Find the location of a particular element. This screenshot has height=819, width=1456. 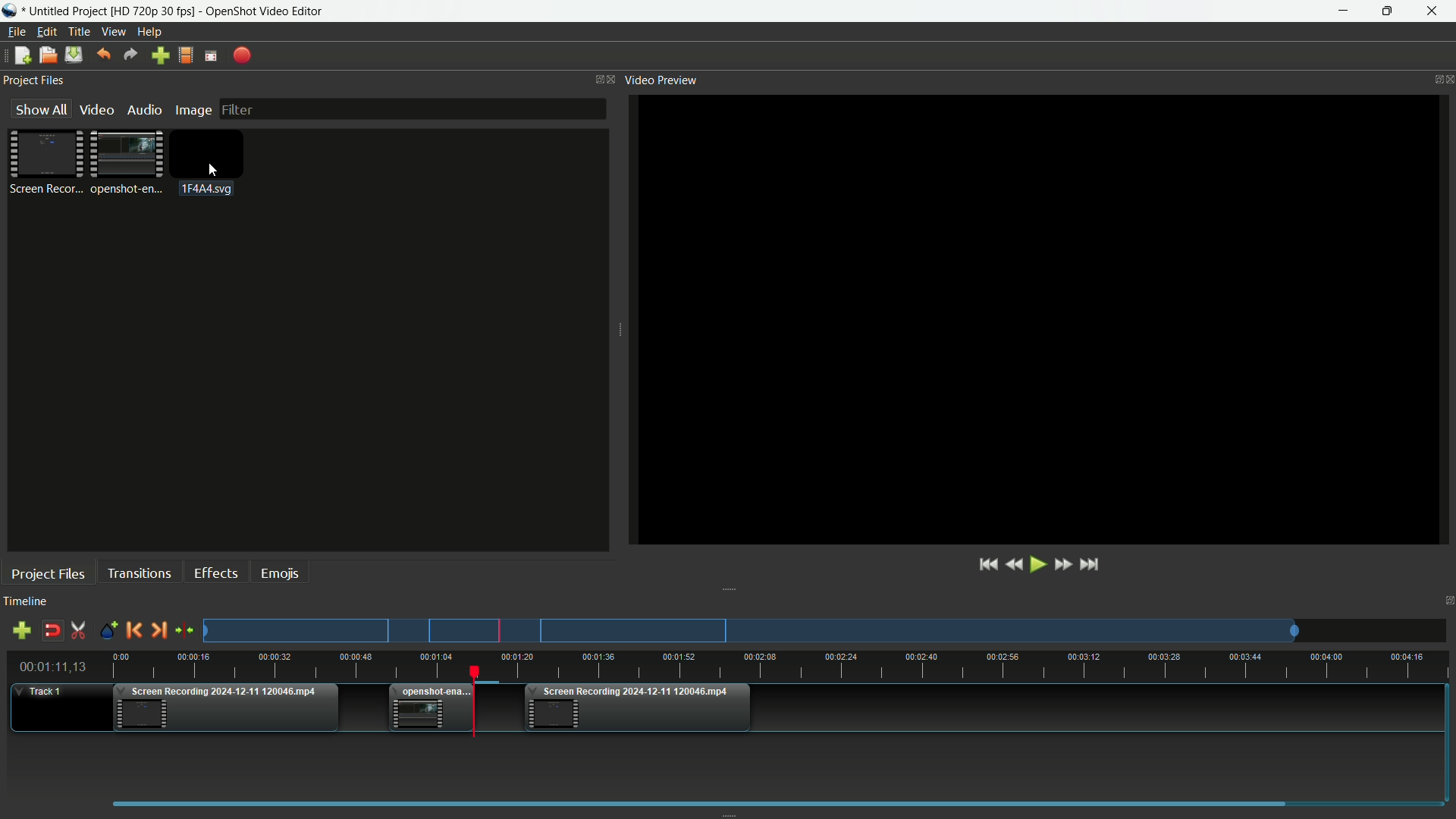

Image is located at coordinates (193, 111).